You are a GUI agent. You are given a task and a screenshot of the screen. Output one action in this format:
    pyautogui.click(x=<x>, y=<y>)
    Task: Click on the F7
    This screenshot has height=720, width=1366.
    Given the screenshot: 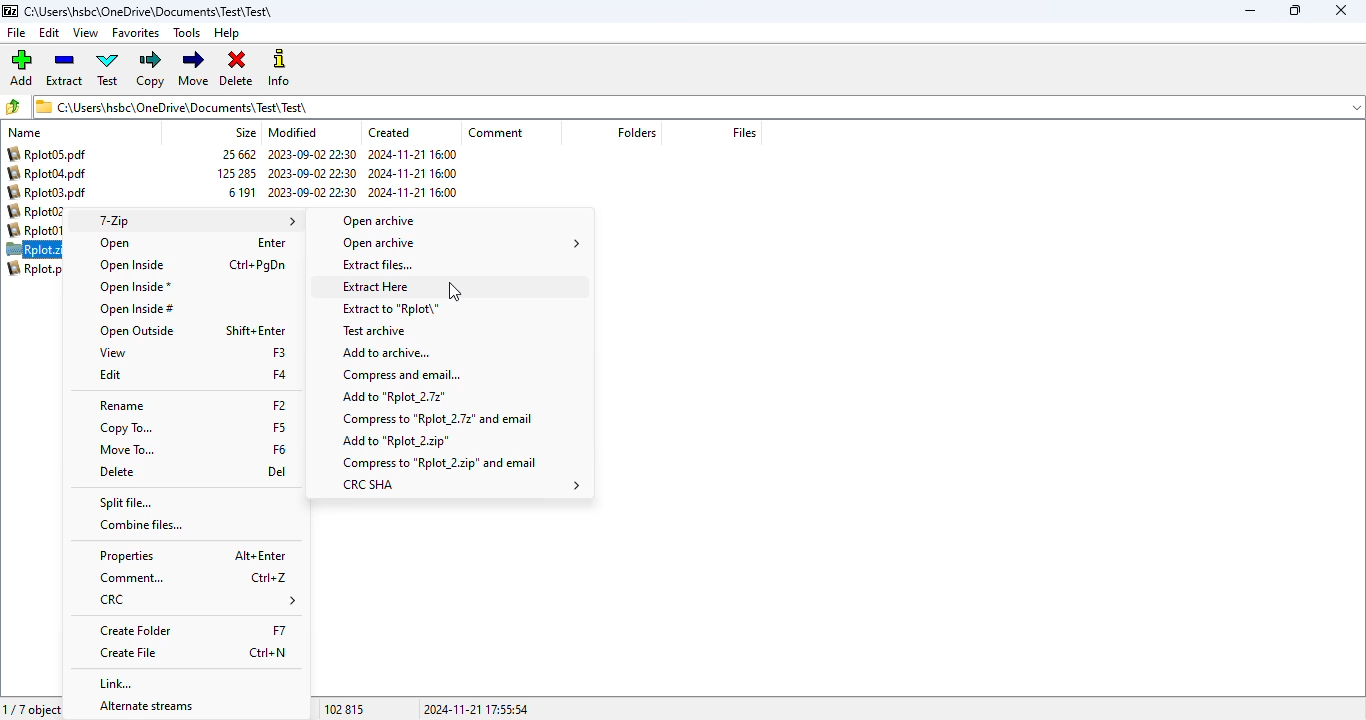 What is the action you would take?
    pyautogui.click(x=280, y=631)
    